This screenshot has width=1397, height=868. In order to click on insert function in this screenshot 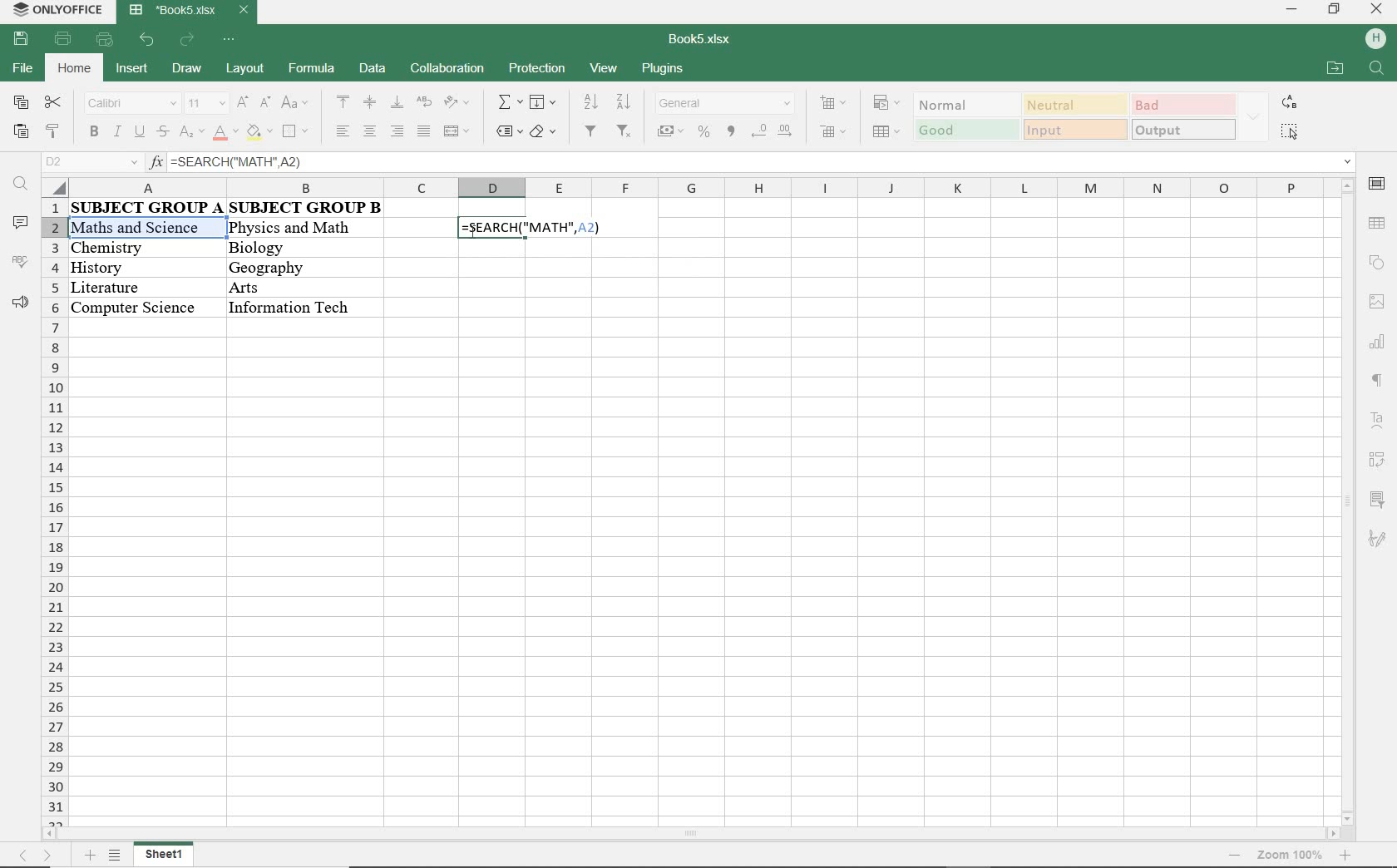, I will do `click(751, 163)`.